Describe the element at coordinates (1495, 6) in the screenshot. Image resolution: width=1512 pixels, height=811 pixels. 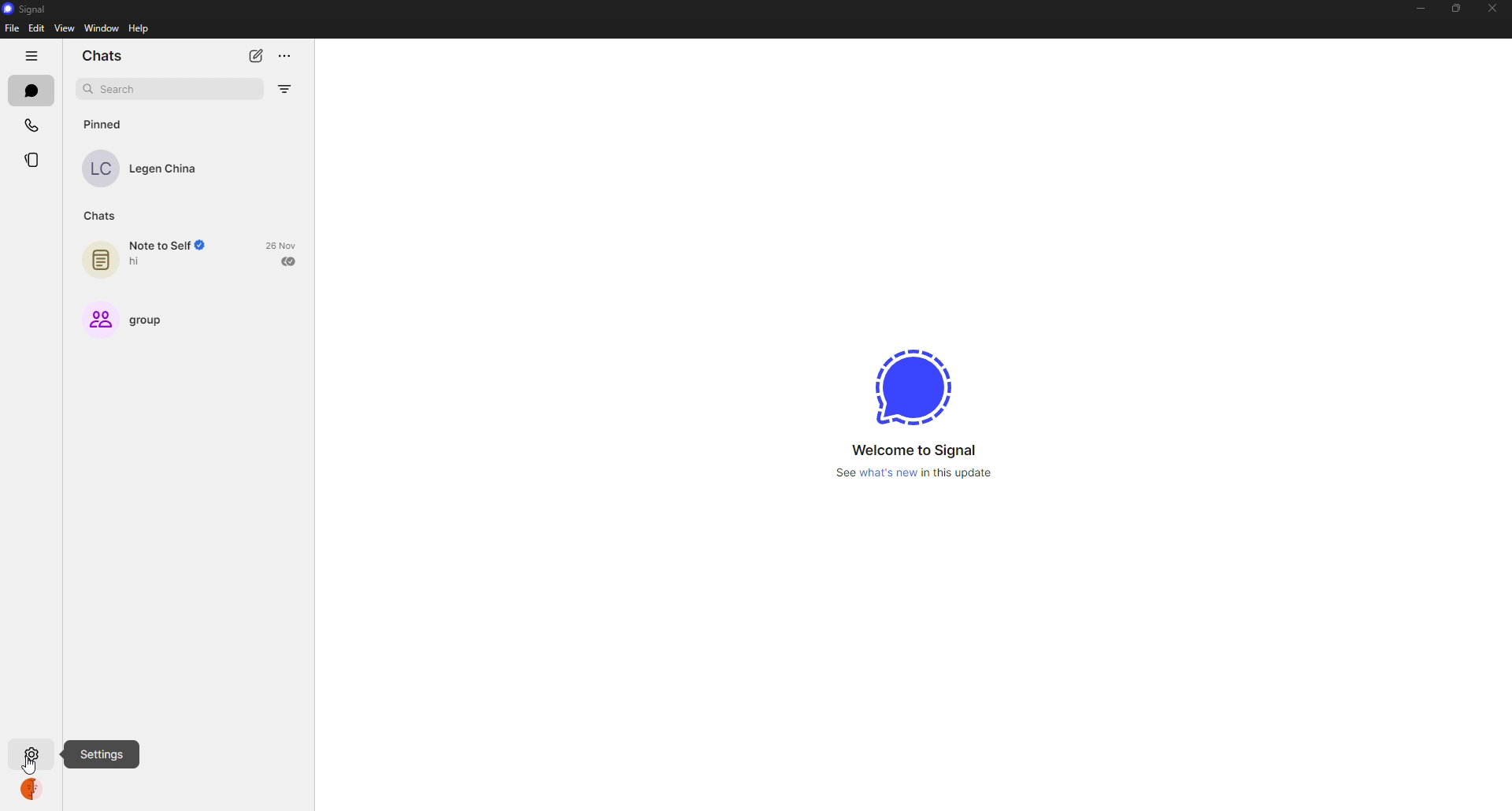
I see `close` at that location.